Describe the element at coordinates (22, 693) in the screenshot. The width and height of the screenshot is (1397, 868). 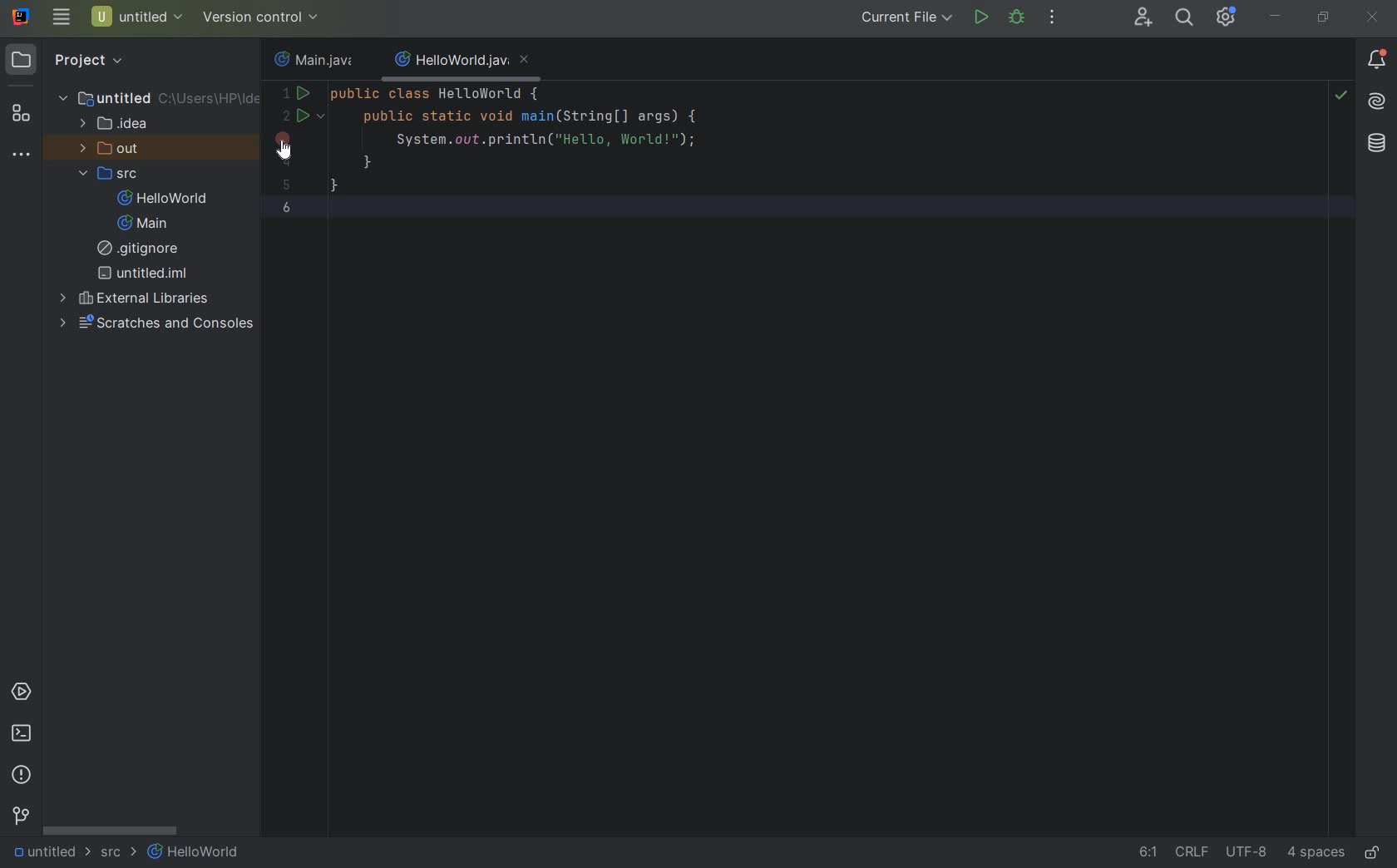
I see `services` at that location.